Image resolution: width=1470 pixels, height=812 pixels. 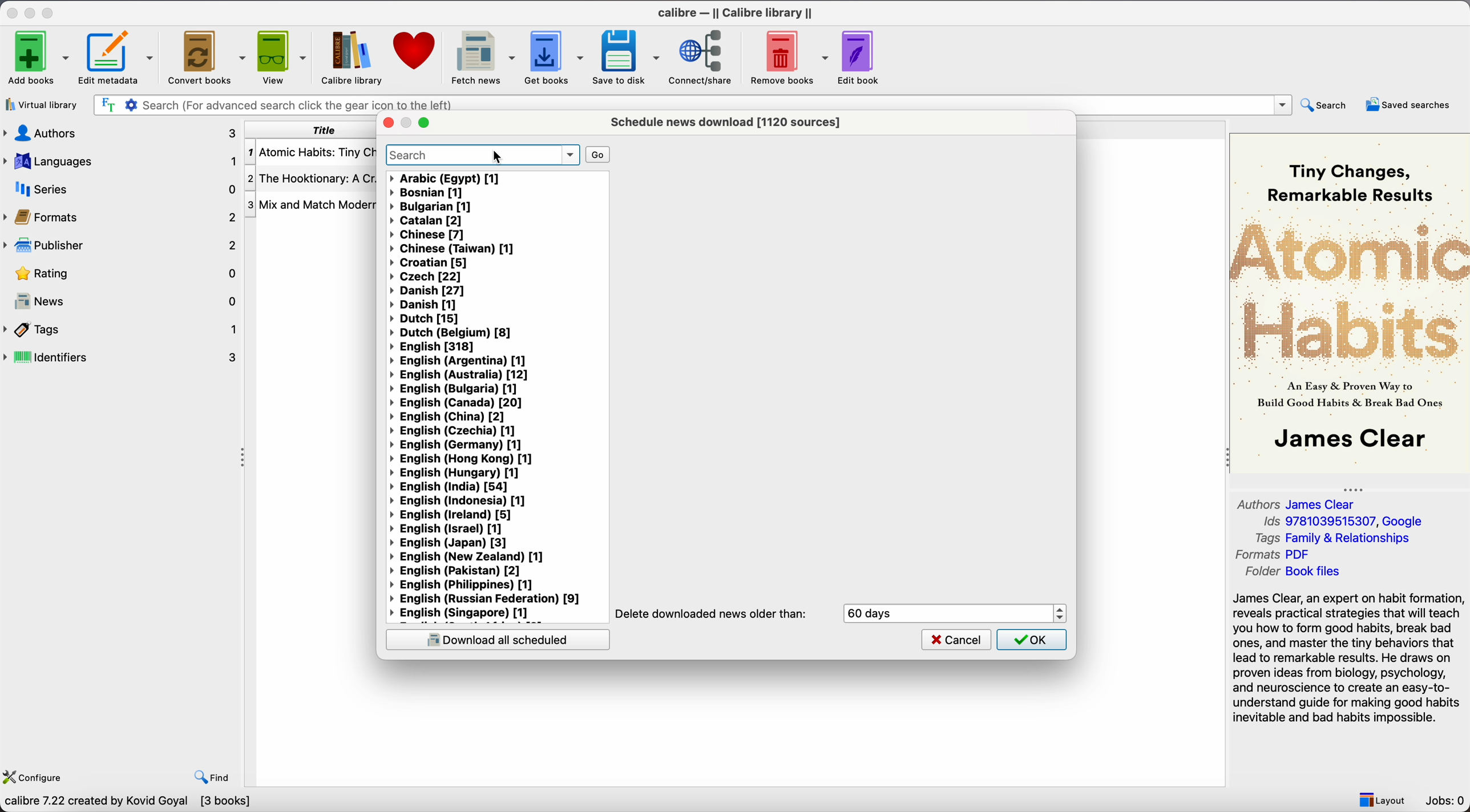 I want to click on find, so click(x=212, y=778).